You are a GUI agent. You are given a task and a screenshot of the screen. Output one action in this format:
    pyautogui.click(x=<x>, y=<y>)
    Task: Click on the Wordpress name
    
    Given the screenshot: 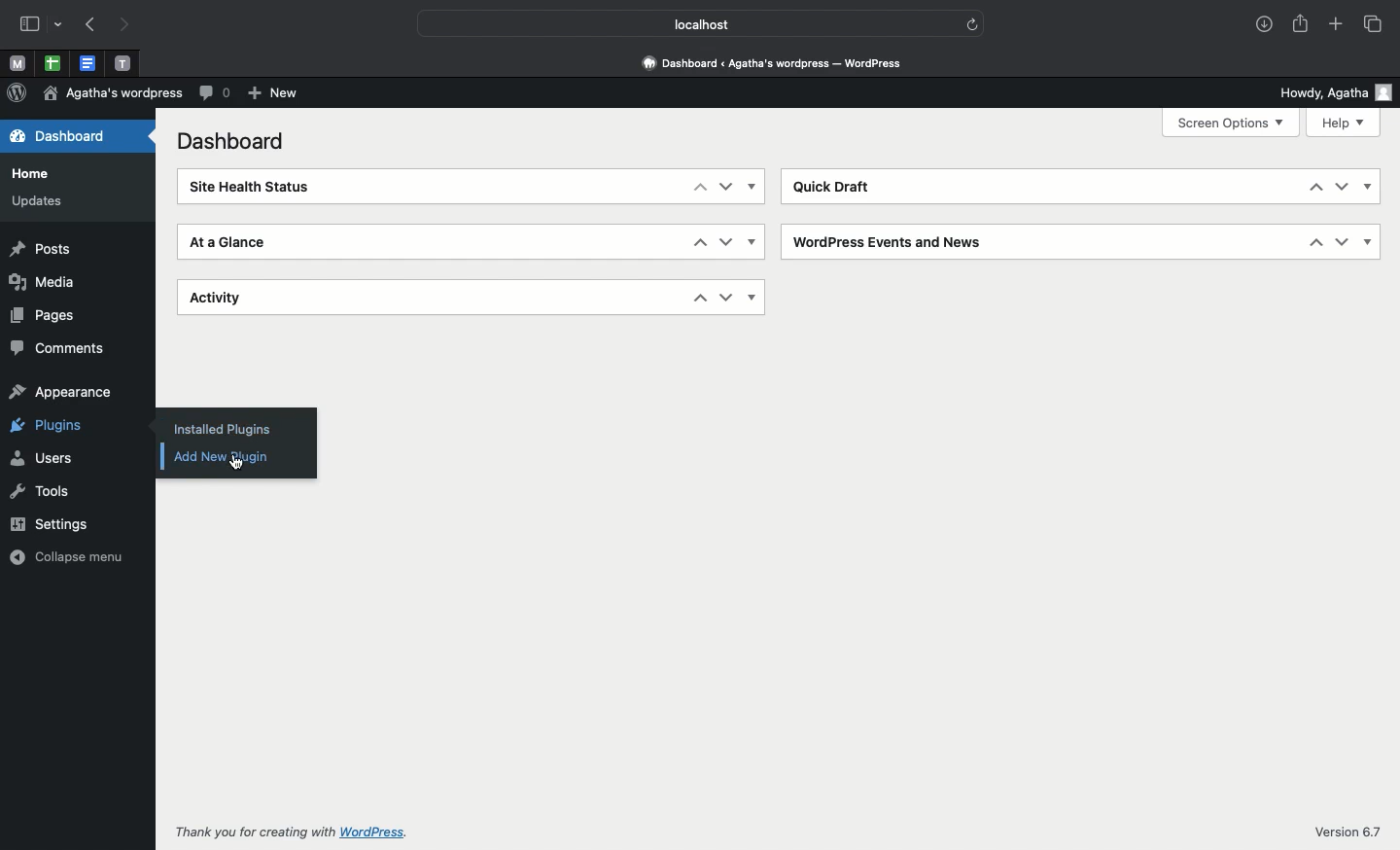 What is the action you would take?
    pyautogui.click(x=115, y=96)
    